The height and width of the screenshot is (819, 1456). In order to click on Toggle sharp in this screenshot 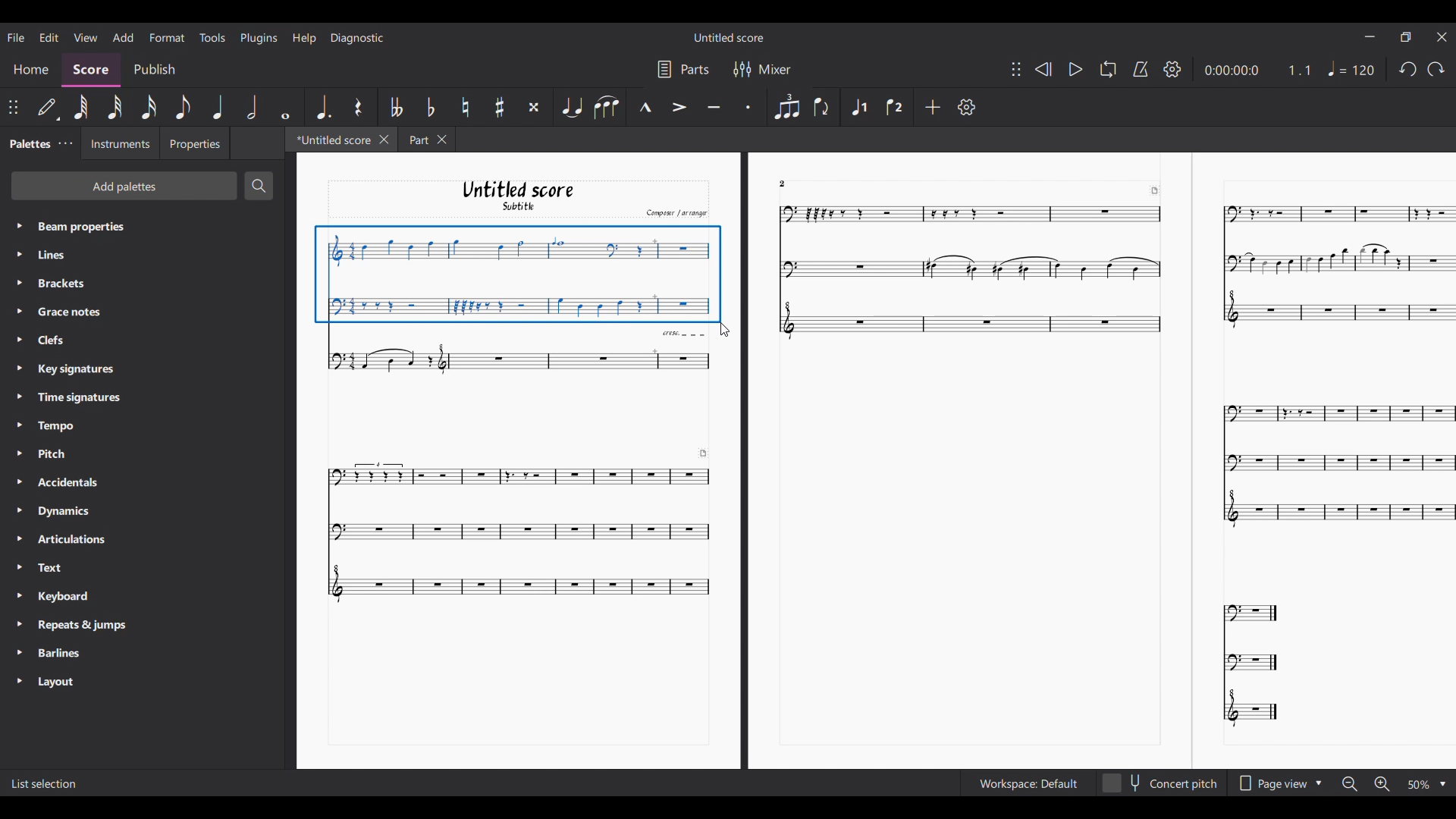, I will do `click(500, 107)`.